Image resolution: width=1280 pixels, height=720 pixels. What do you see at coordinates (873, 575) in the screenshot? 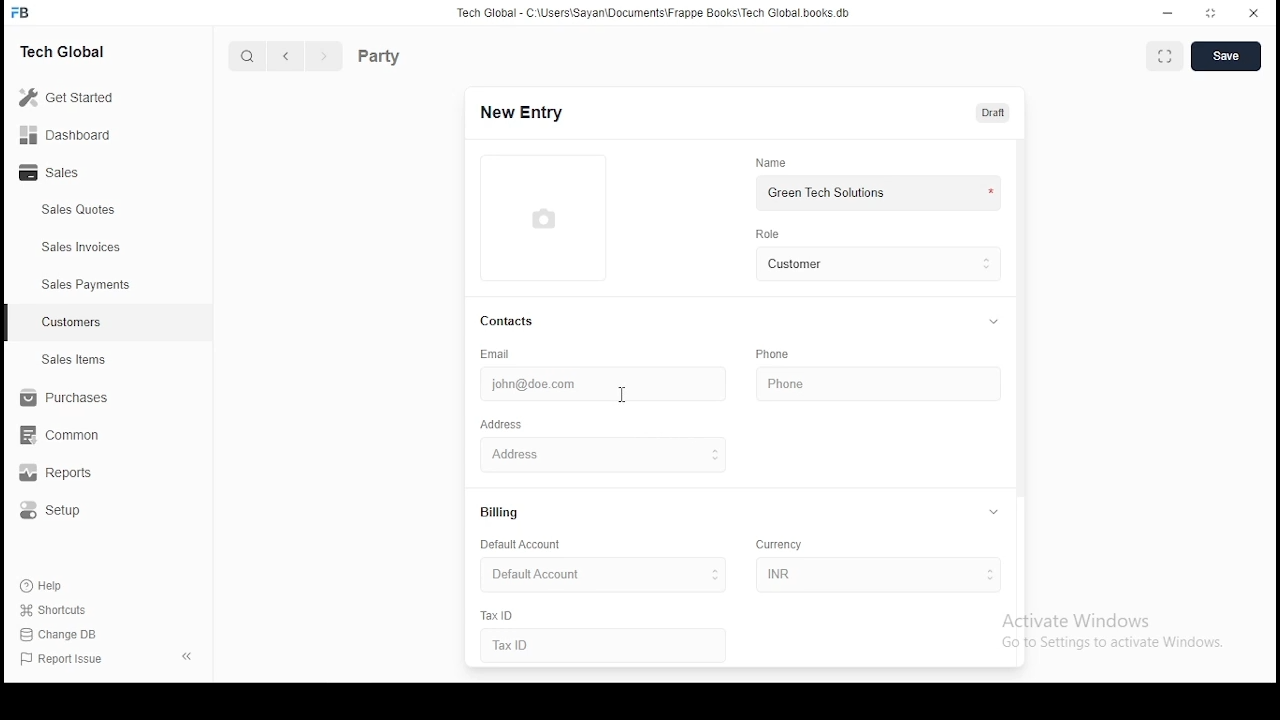
I see `inr` at bounding box center [873, 575].